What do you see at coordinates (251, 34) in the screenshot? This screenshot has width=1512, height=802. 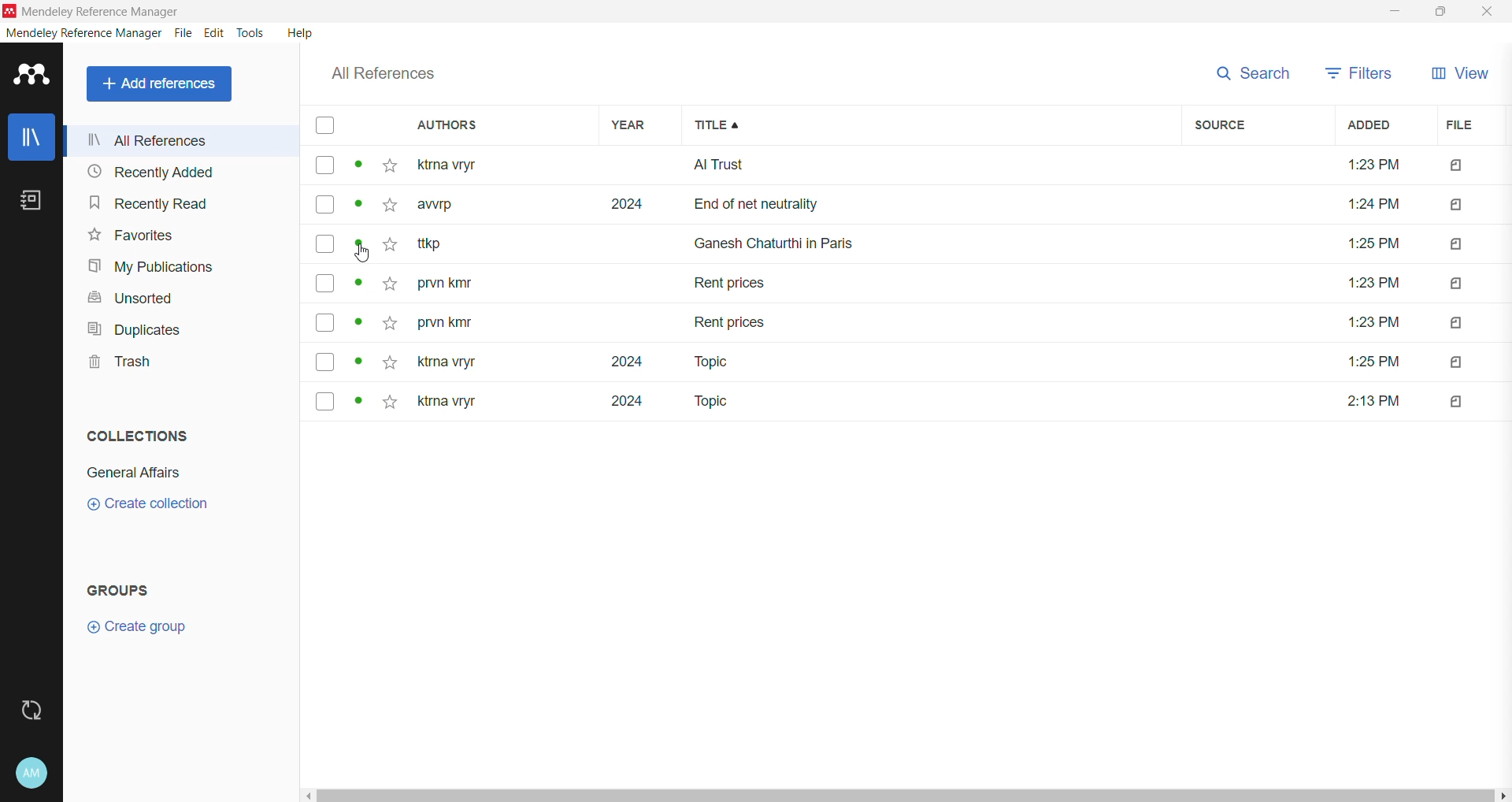 I see `Tools` at bounding box center [251, 34].